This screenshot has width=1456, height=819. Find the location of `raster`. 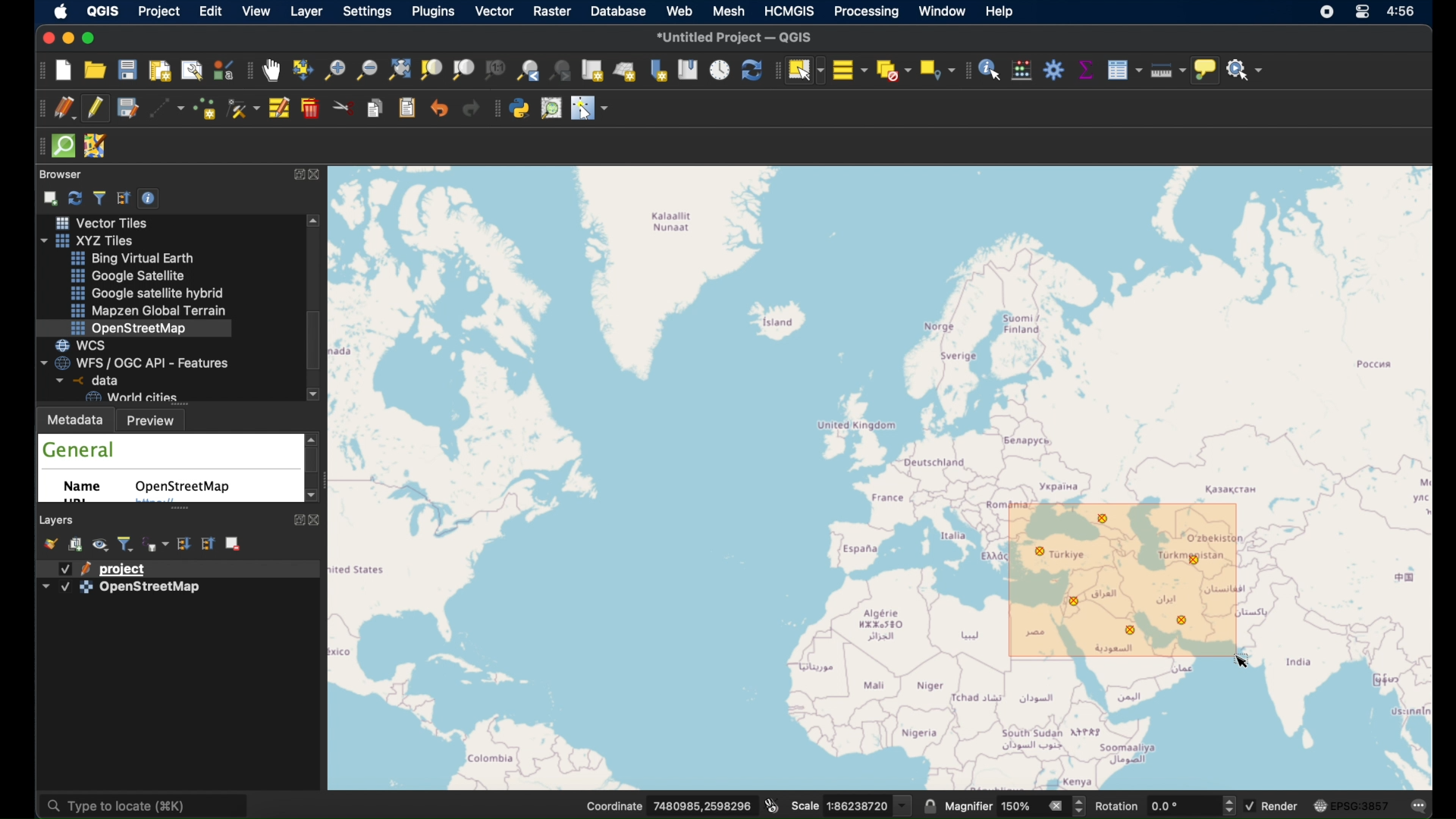

raster is located at coordinates (553, 11).